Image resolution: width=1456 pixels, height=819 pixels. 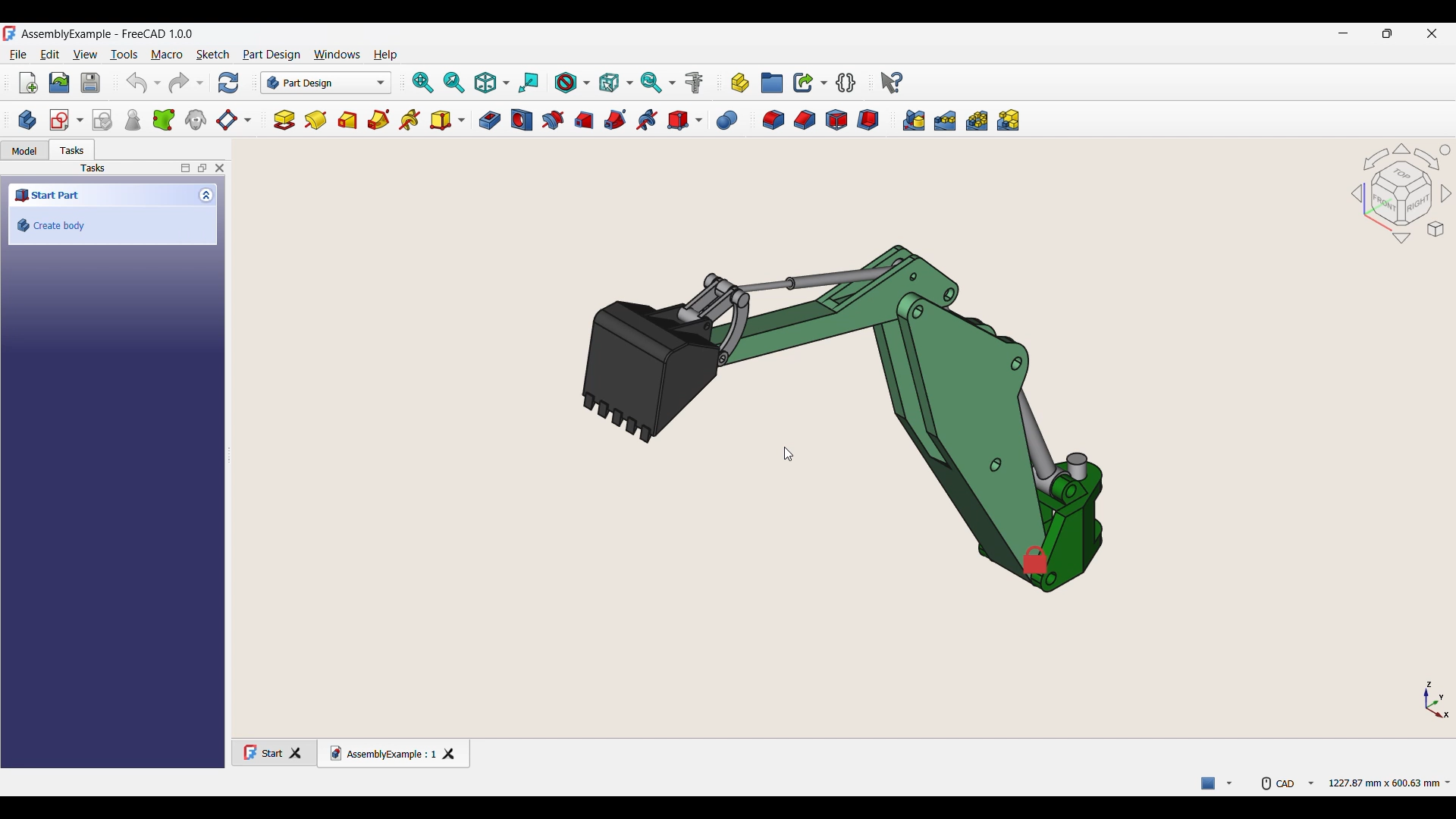 I want to click on Subtractive pipe, so click(x=617, y=119).